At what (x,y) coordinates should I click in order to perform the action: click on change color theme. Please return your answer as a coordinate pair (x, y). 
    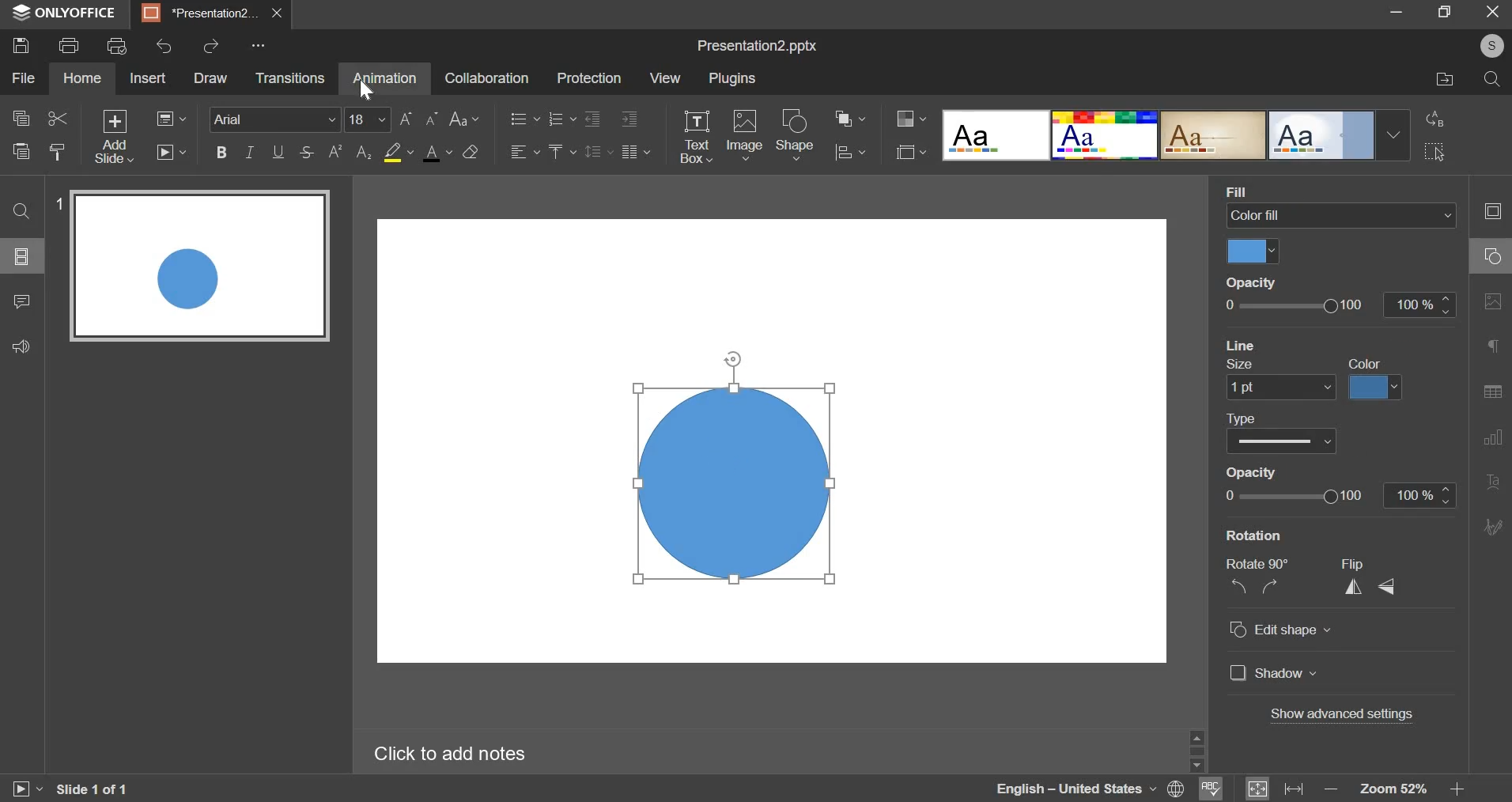
    Looking at the image, I should click on (910, 119).